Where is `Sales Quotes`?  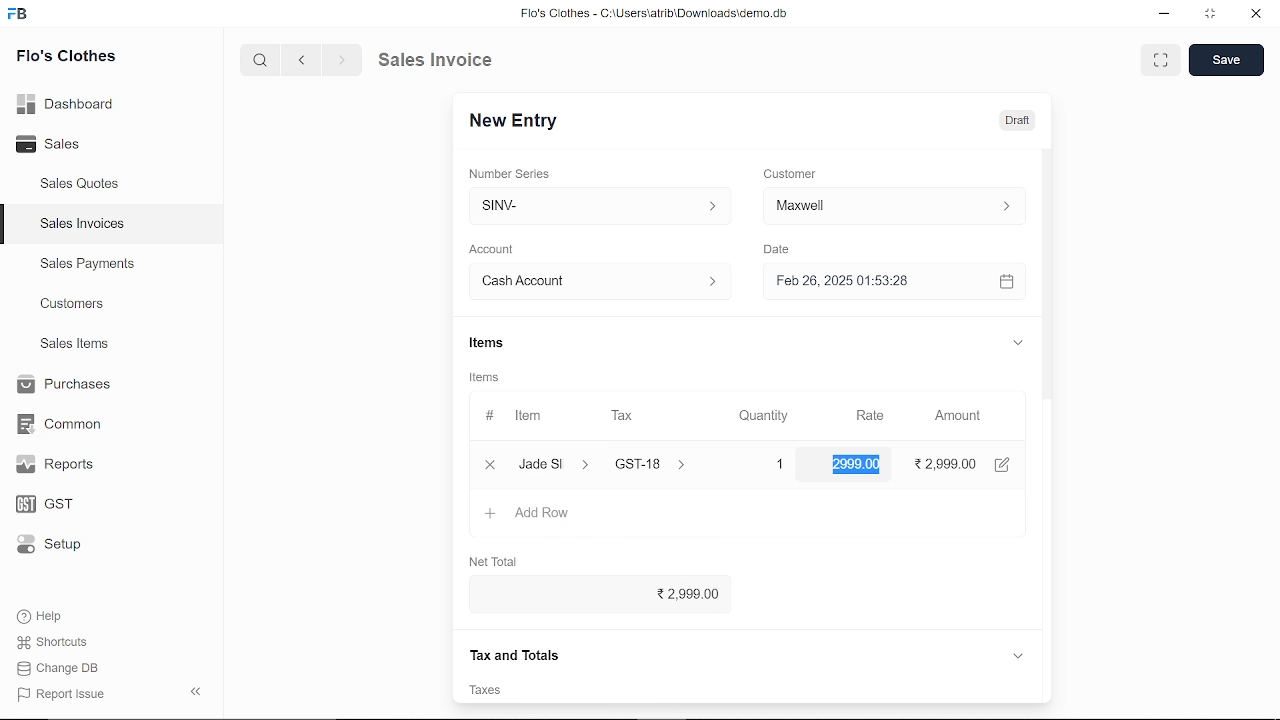
Sales Quotes is located at coordinates (82, 185).